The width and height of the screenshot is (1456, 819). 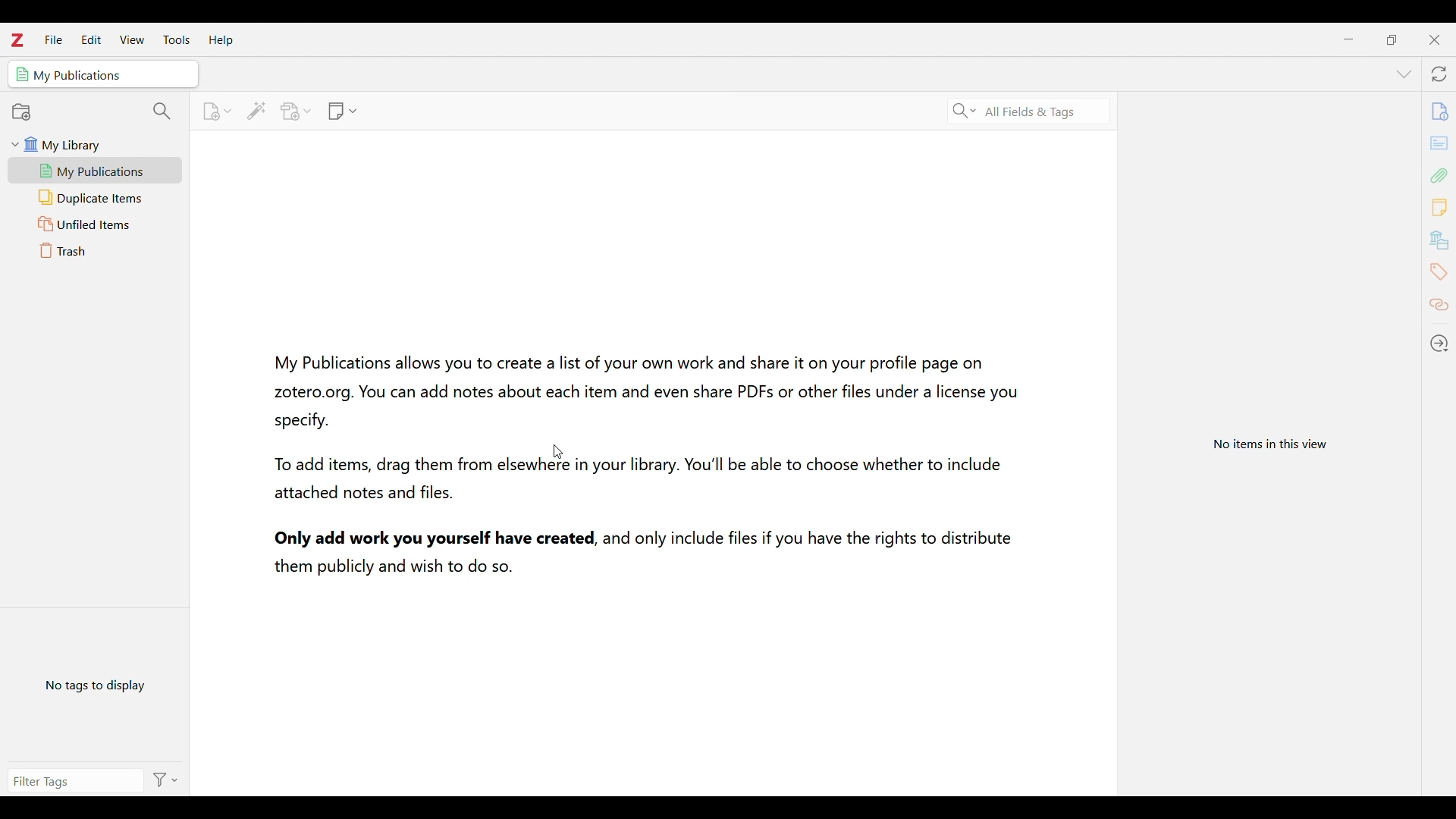 I want to click on Sync with zotero.org, so click(x=1439, y=74).